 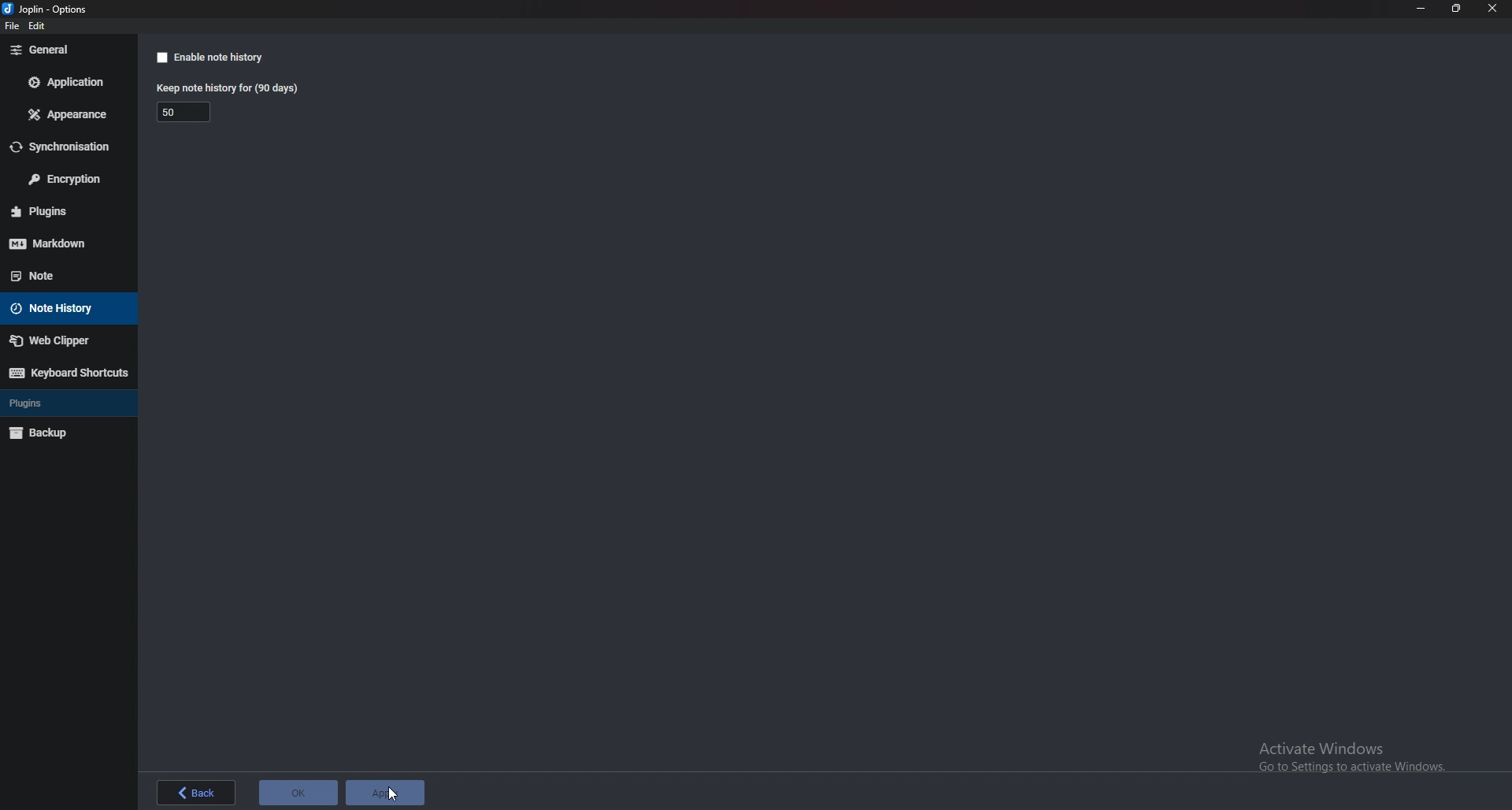 What do you see at coordinates (66, 147) in the screenshot?
I see `Synchronization` at bounding box center [66, 147].